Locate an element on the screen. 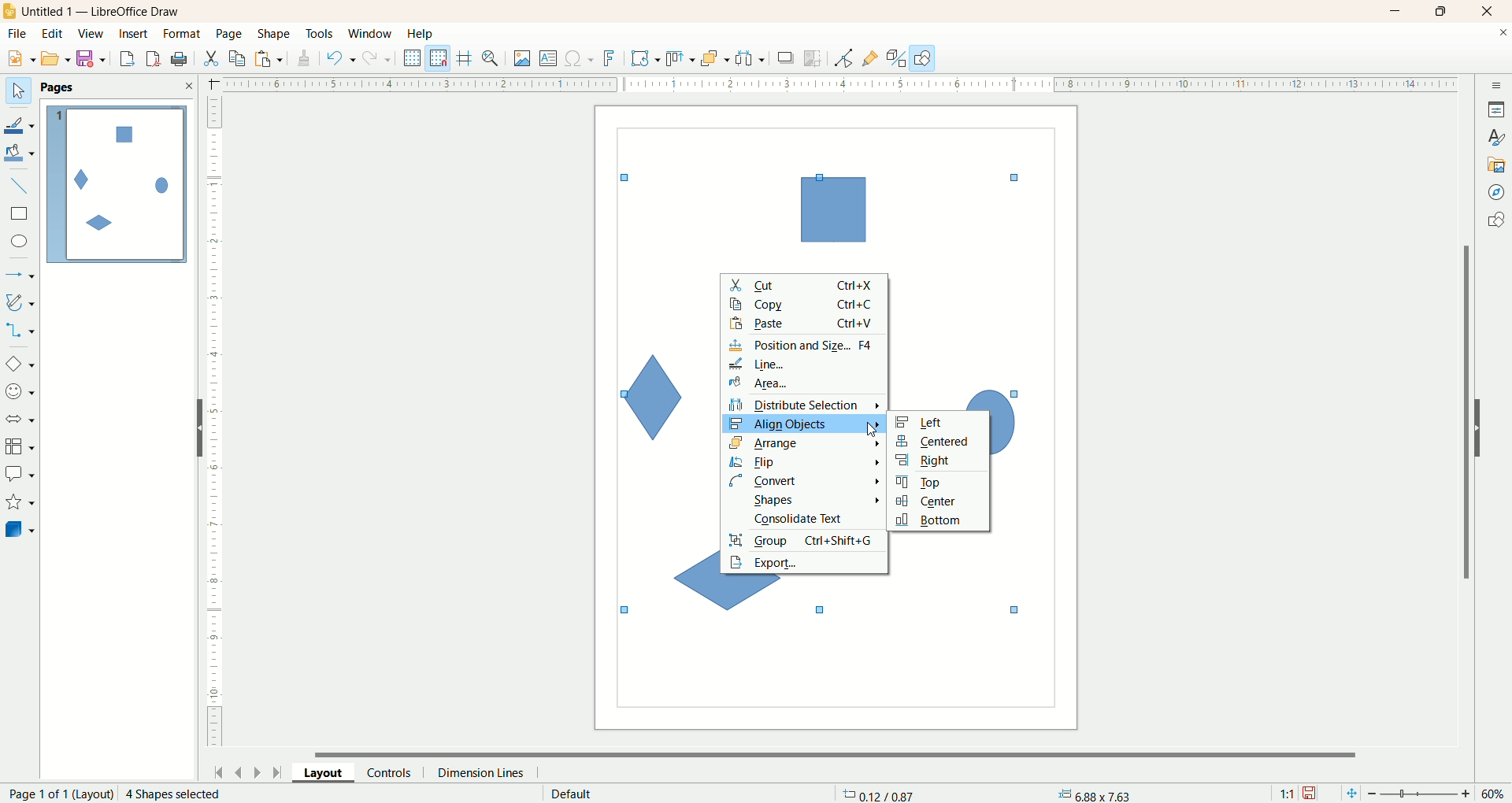  ellipse is located at coordinates (21, 243).